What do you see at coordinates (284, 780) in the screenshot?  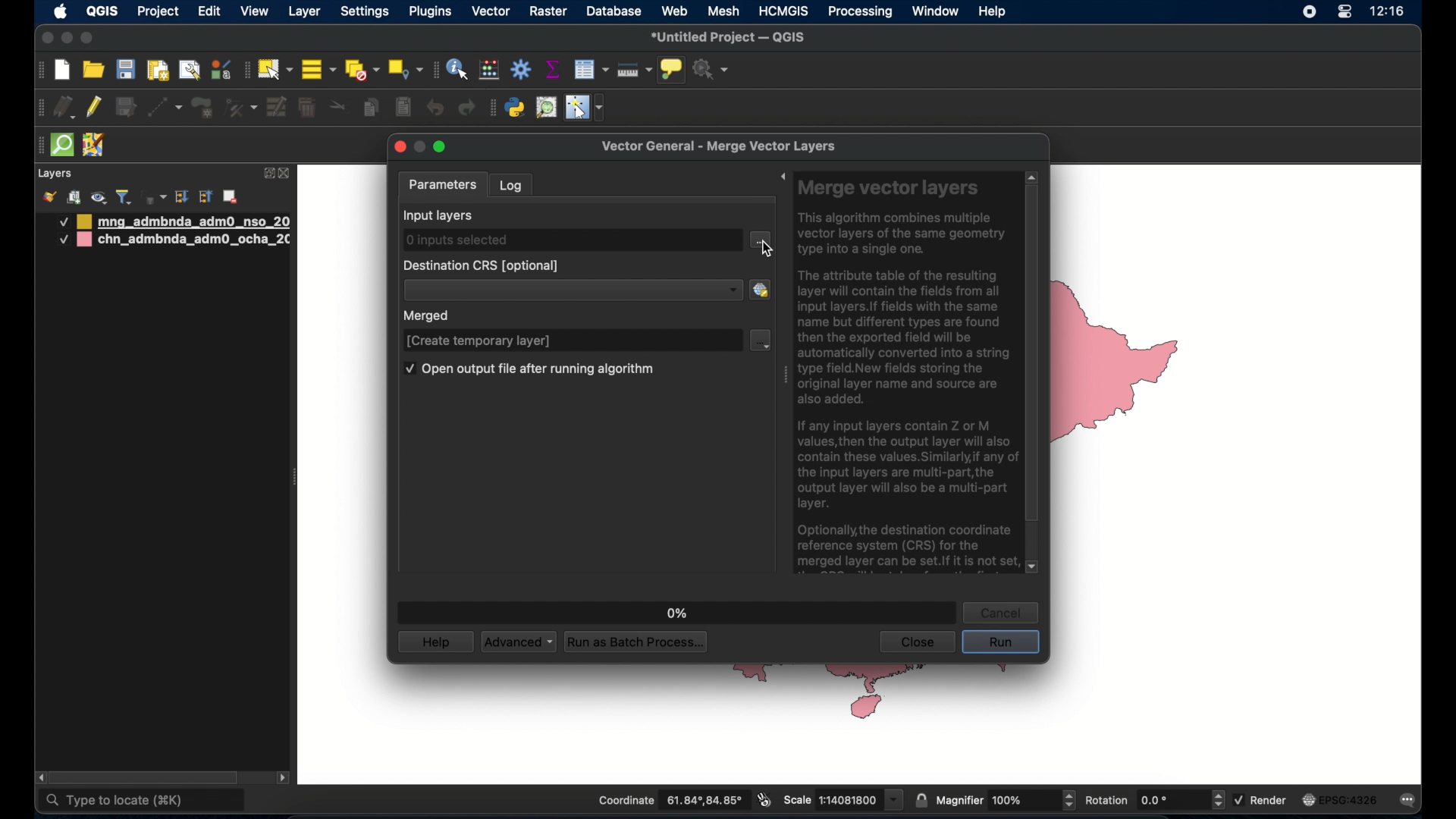 I see `scroll right arrow` at bounding box center [284, 780].